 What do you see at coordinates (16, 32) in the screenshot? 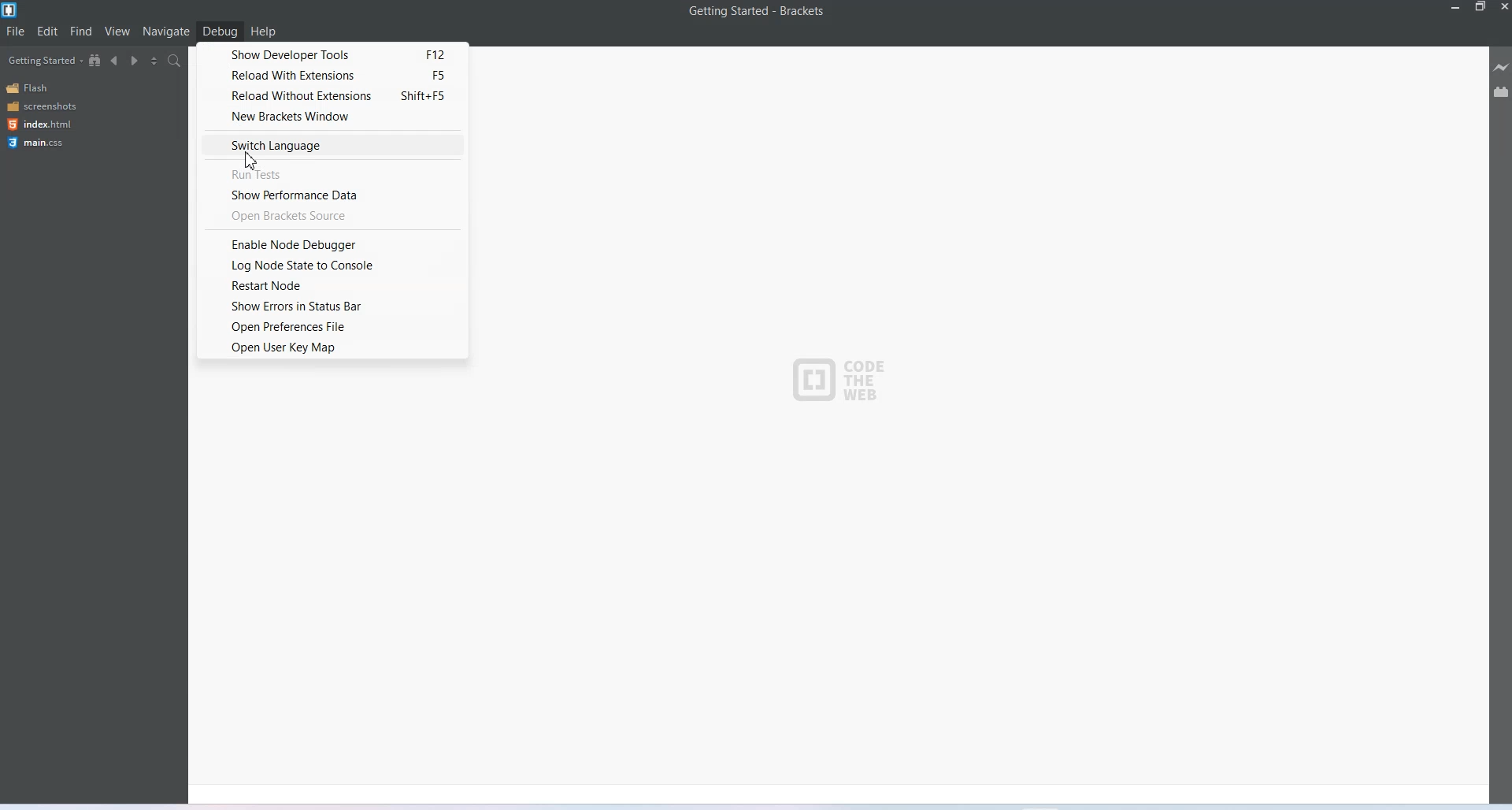
I see `File` at bounding box center [16, 32].